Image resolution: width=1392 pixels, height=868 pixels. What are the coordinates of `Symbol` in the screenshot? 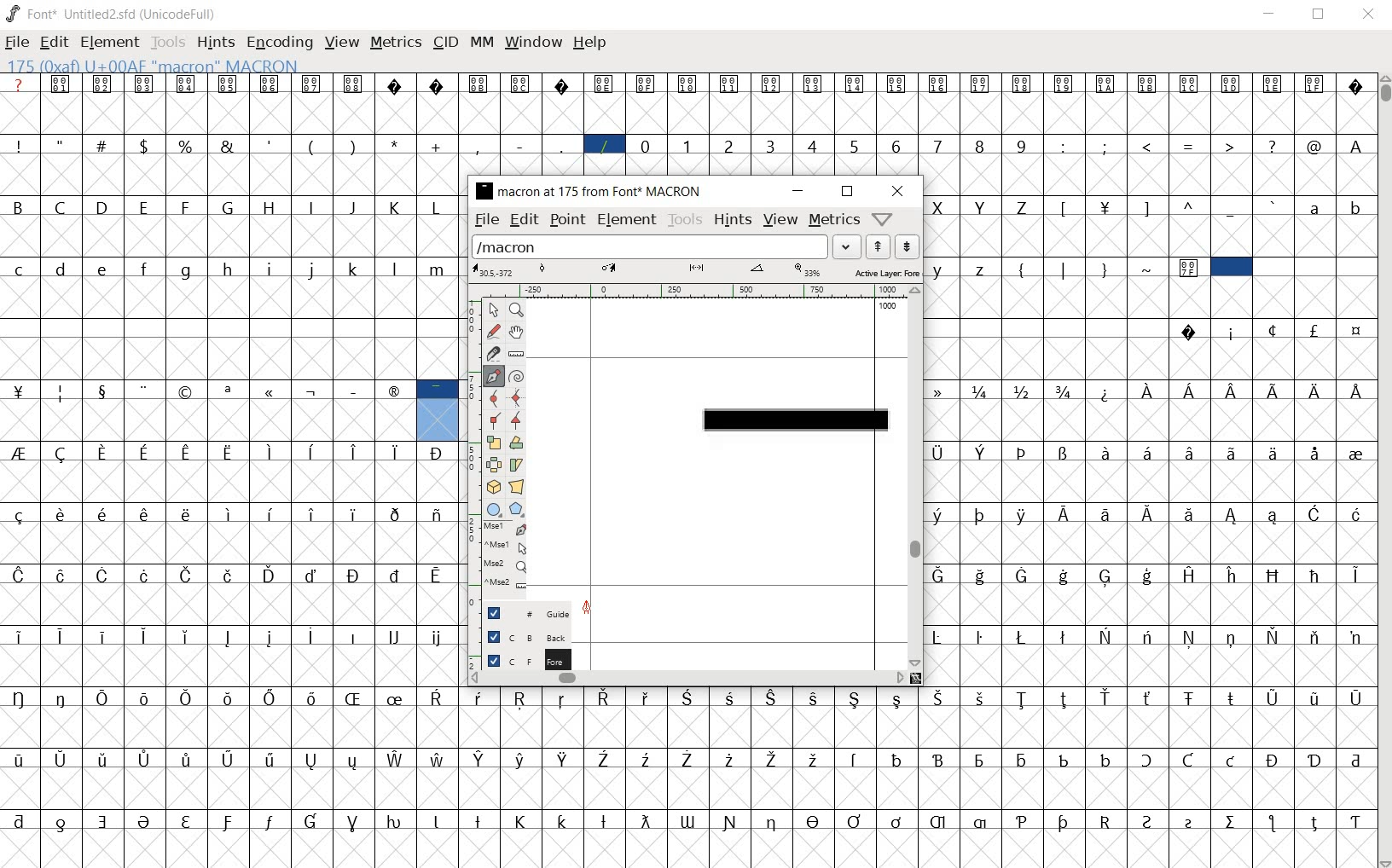 It's located at (856, 821).